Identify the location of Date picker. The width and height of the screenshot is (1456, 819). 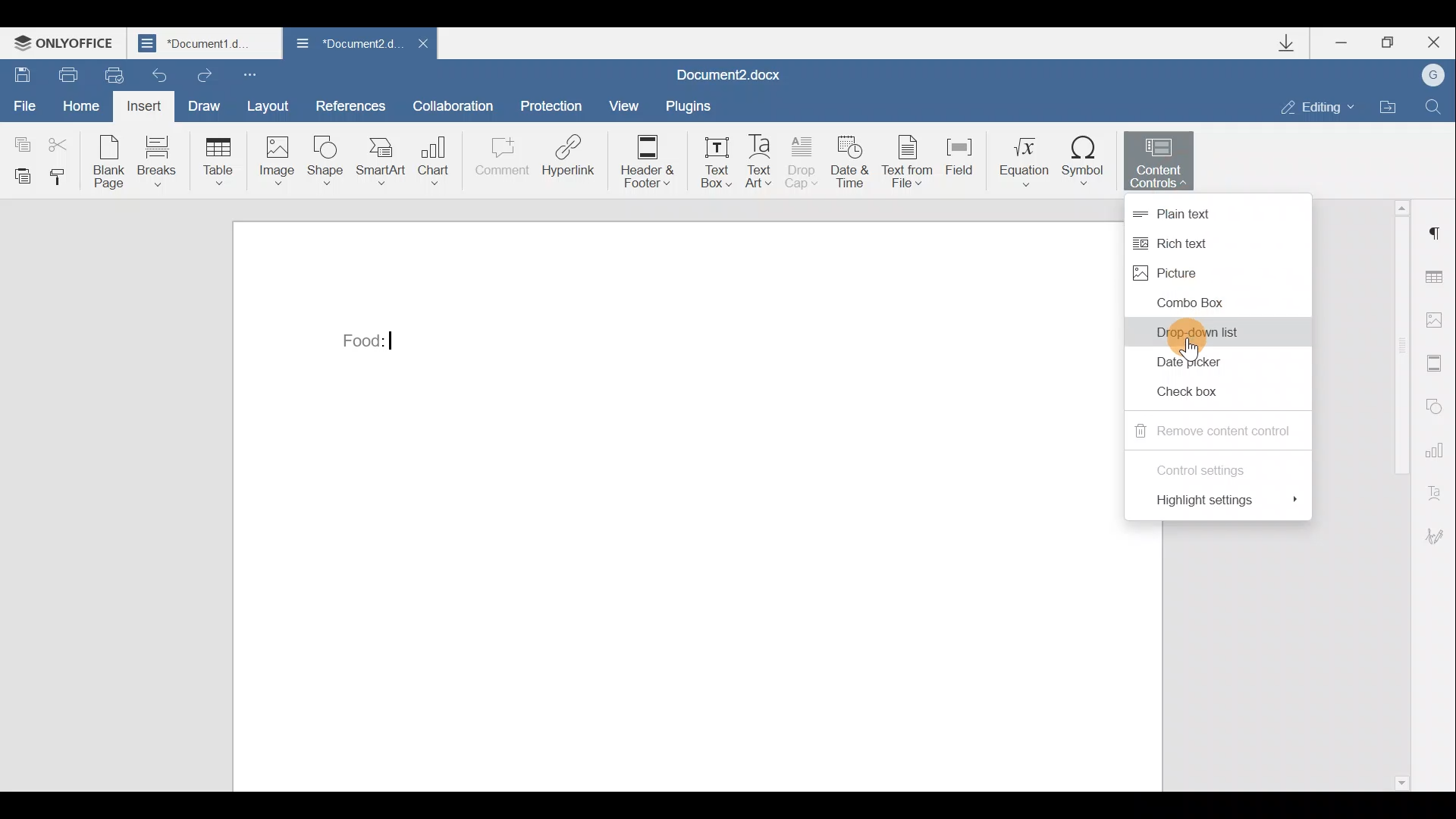
(1201, 360).